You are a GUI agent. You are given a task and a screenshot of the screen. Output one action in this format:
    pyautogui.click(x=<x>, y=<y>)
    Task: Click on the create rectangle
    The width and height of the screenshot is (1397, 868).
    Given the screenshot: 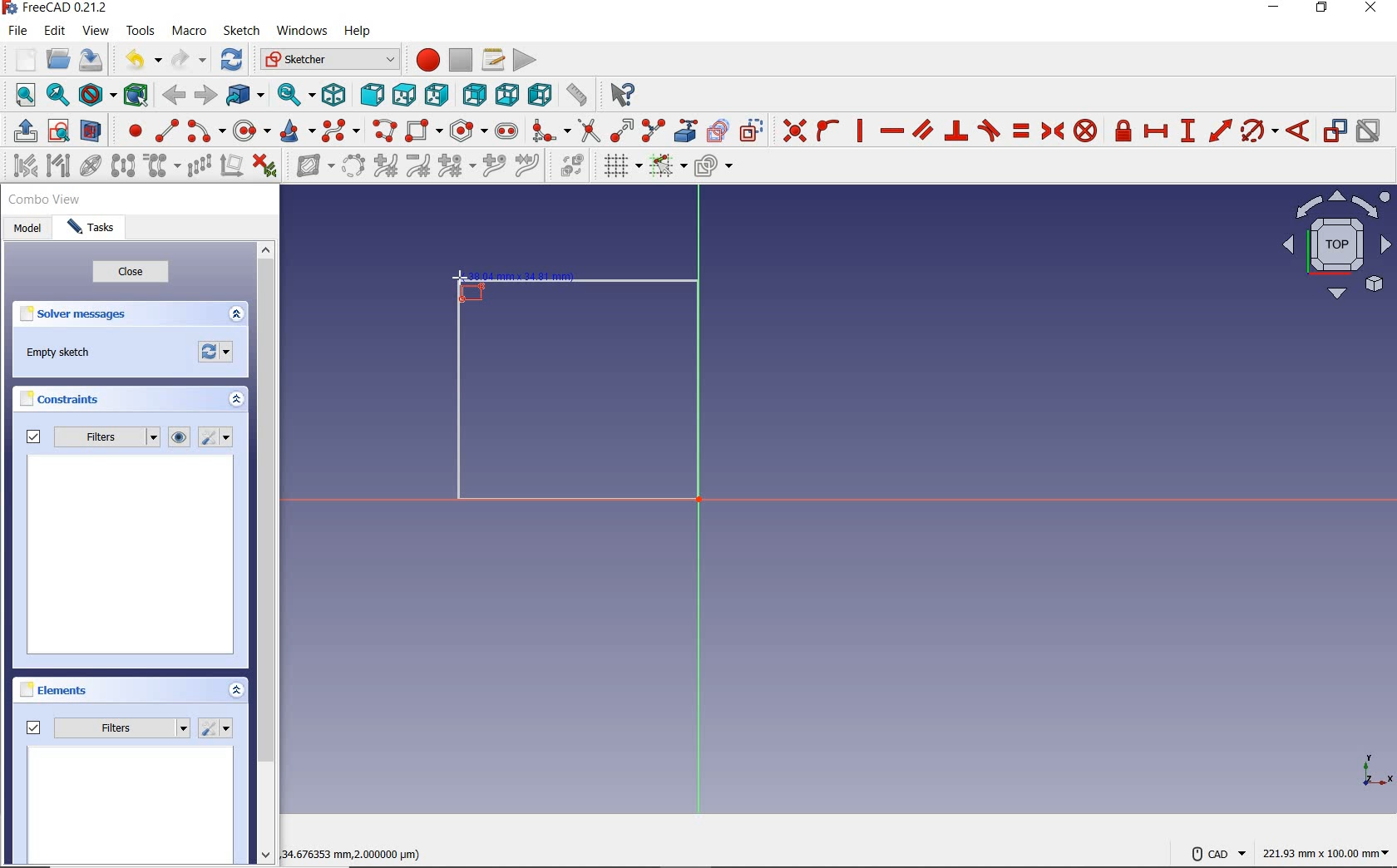 What is the action you would take?
    pyautogui.click(x=424, y=131)
    